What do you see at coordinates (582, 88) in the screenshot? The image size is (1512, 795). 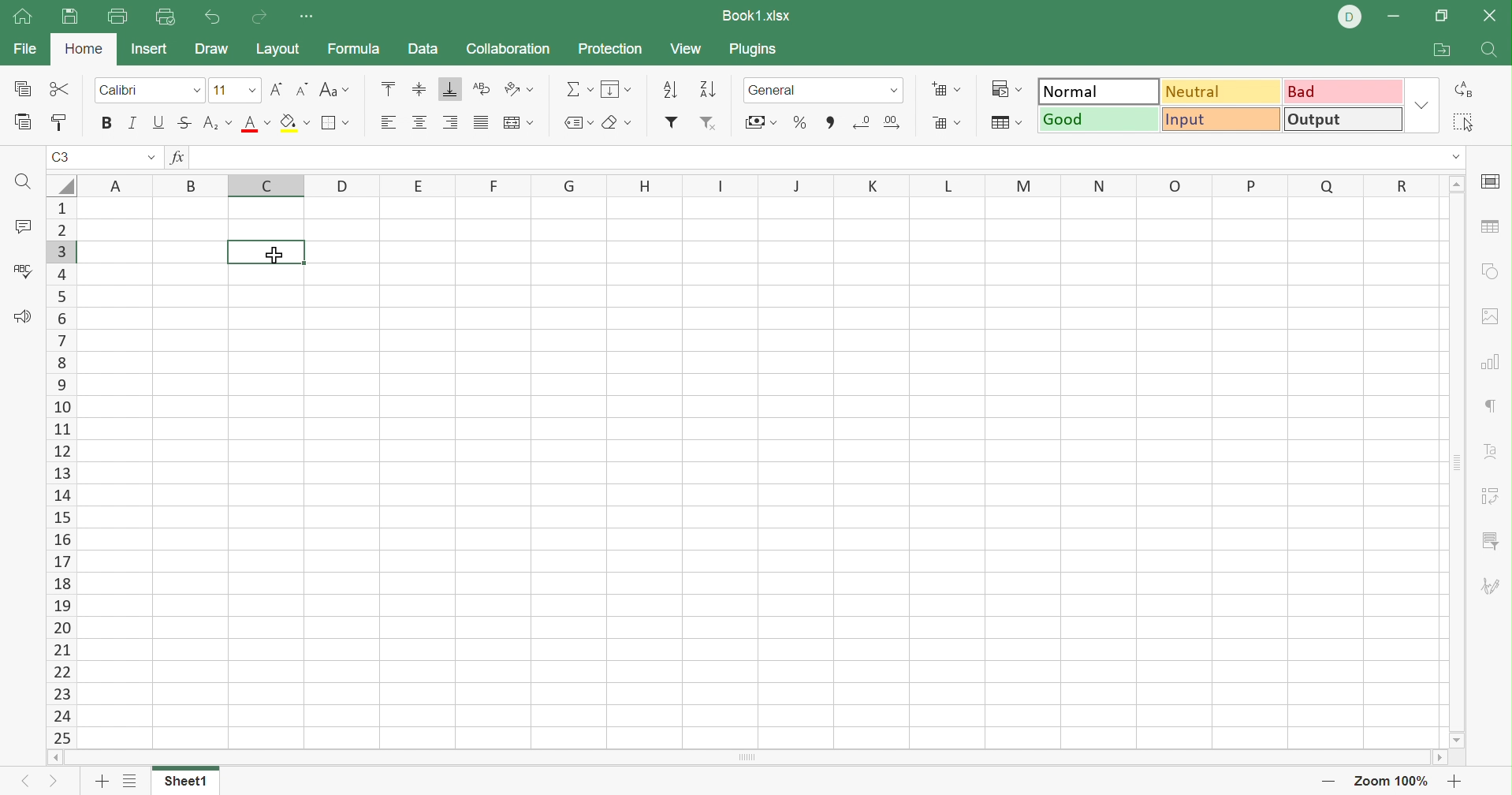 I see `Summation` at bounding box center [582, 88].